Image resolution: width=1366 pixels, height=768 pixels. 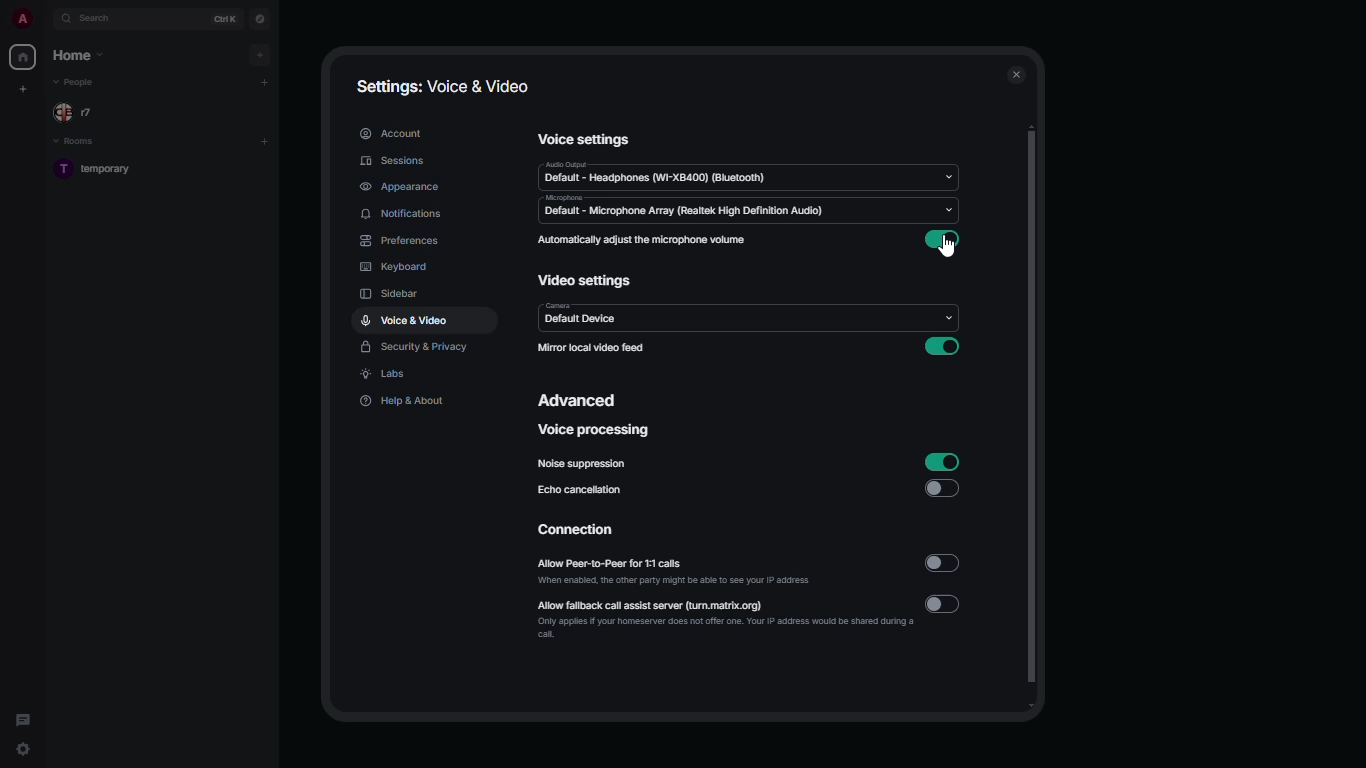 I want to click on echo cancellation, so click(x=579, y=492).